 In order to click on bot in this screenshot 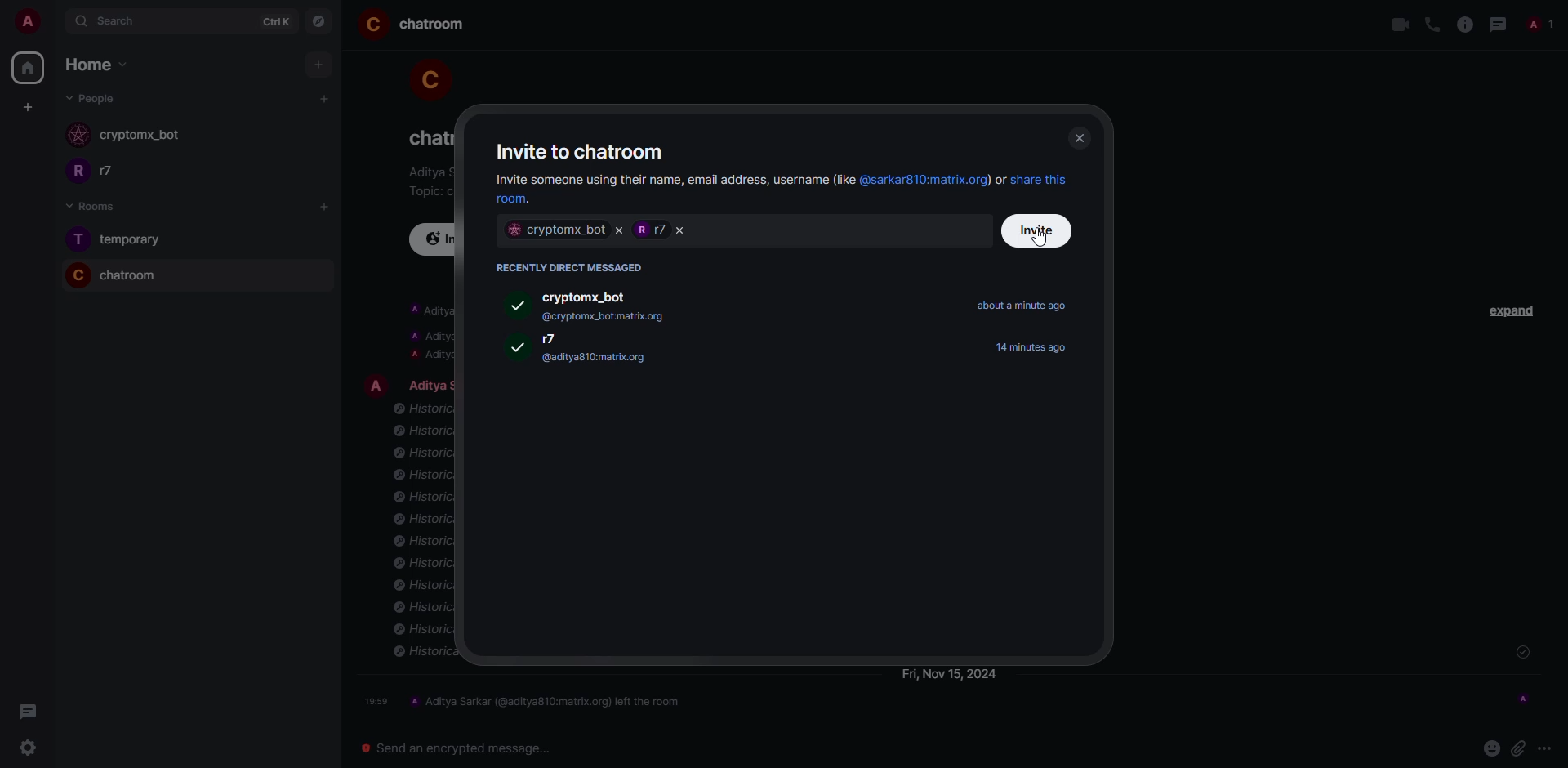, I will do `click(140, 136)`.